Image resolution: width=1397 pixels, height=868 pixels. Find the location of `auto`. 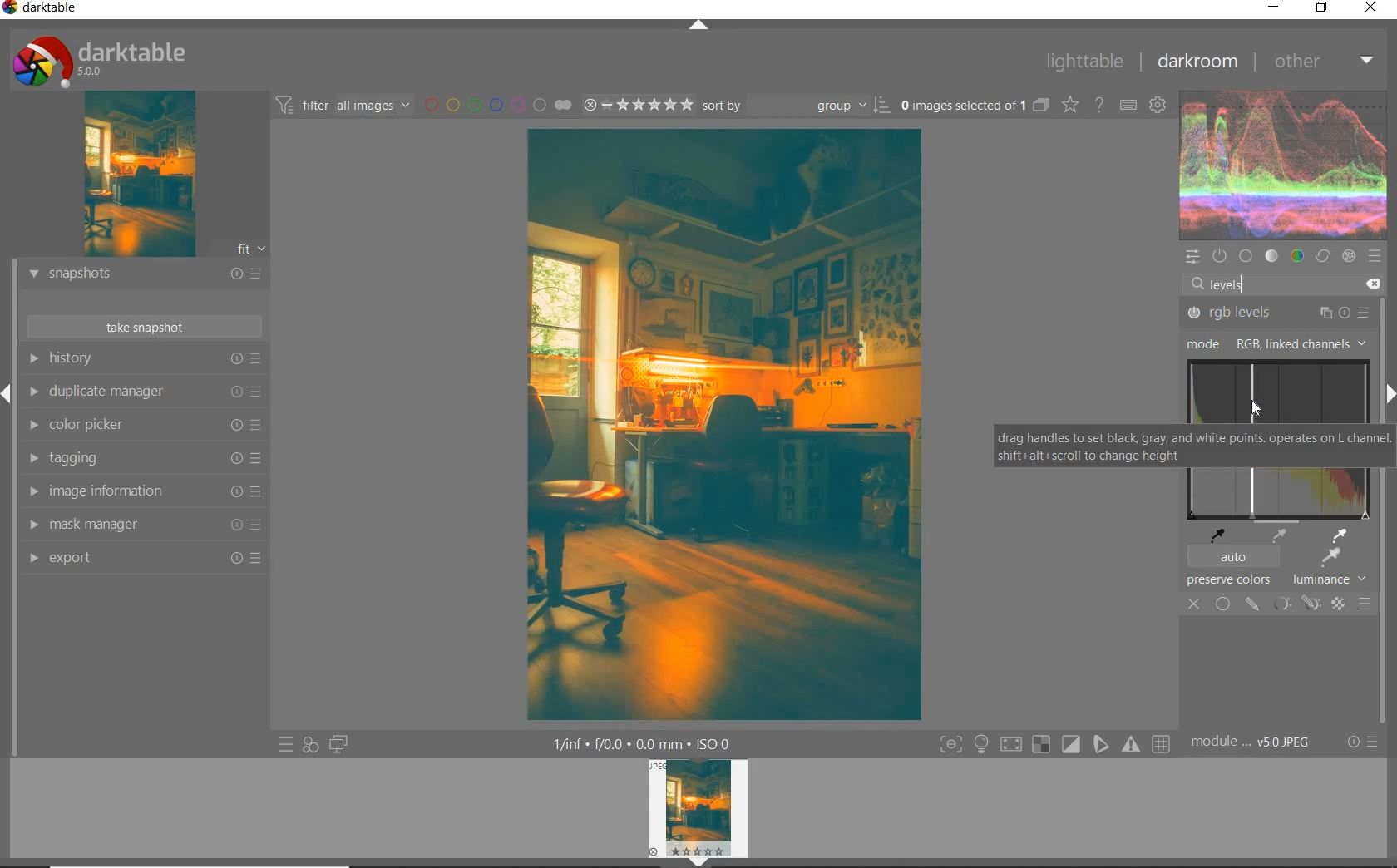

auto is located at coordinates (1232, 558).